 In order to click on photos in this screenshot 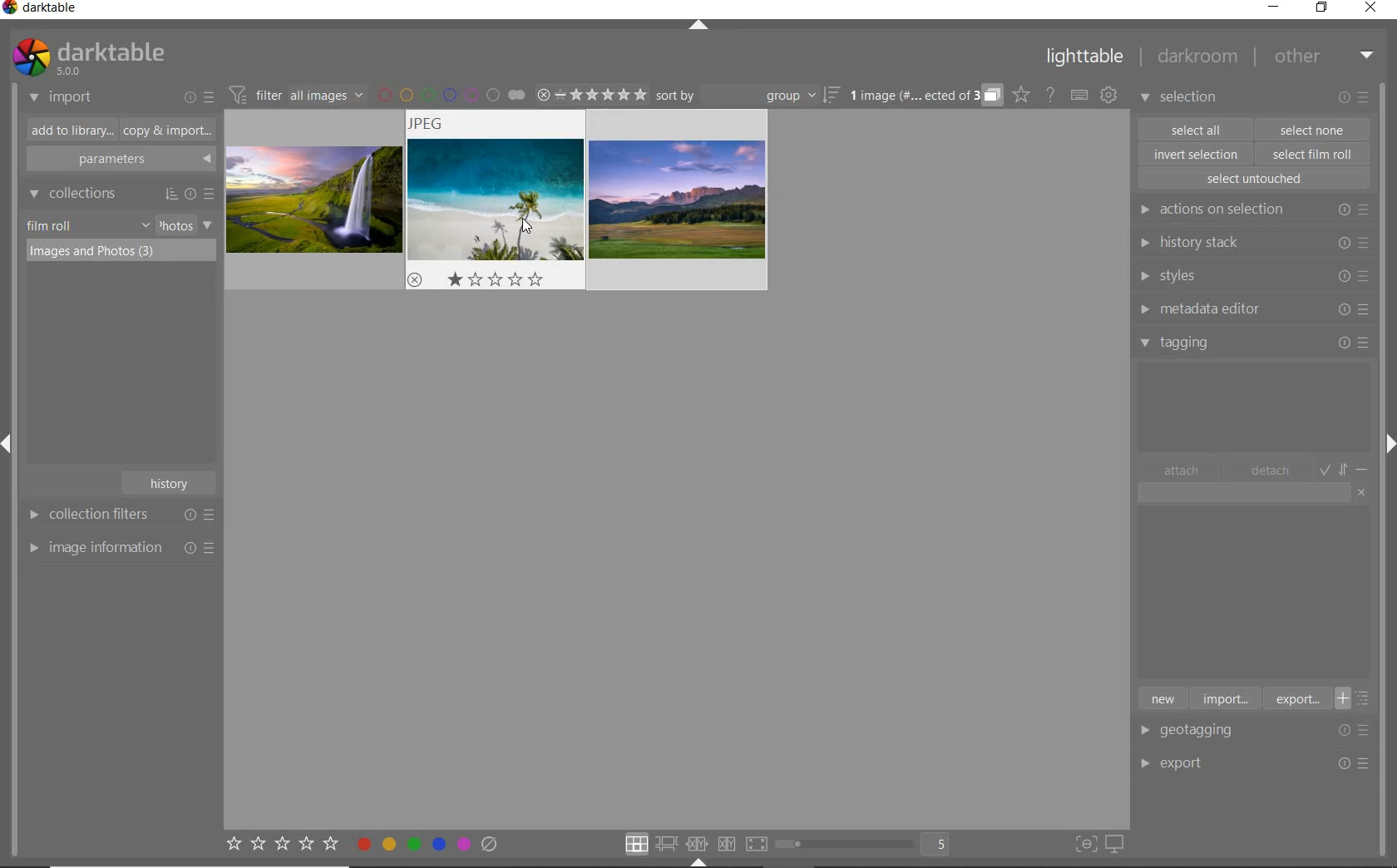, I will do `click(175, 225)`.